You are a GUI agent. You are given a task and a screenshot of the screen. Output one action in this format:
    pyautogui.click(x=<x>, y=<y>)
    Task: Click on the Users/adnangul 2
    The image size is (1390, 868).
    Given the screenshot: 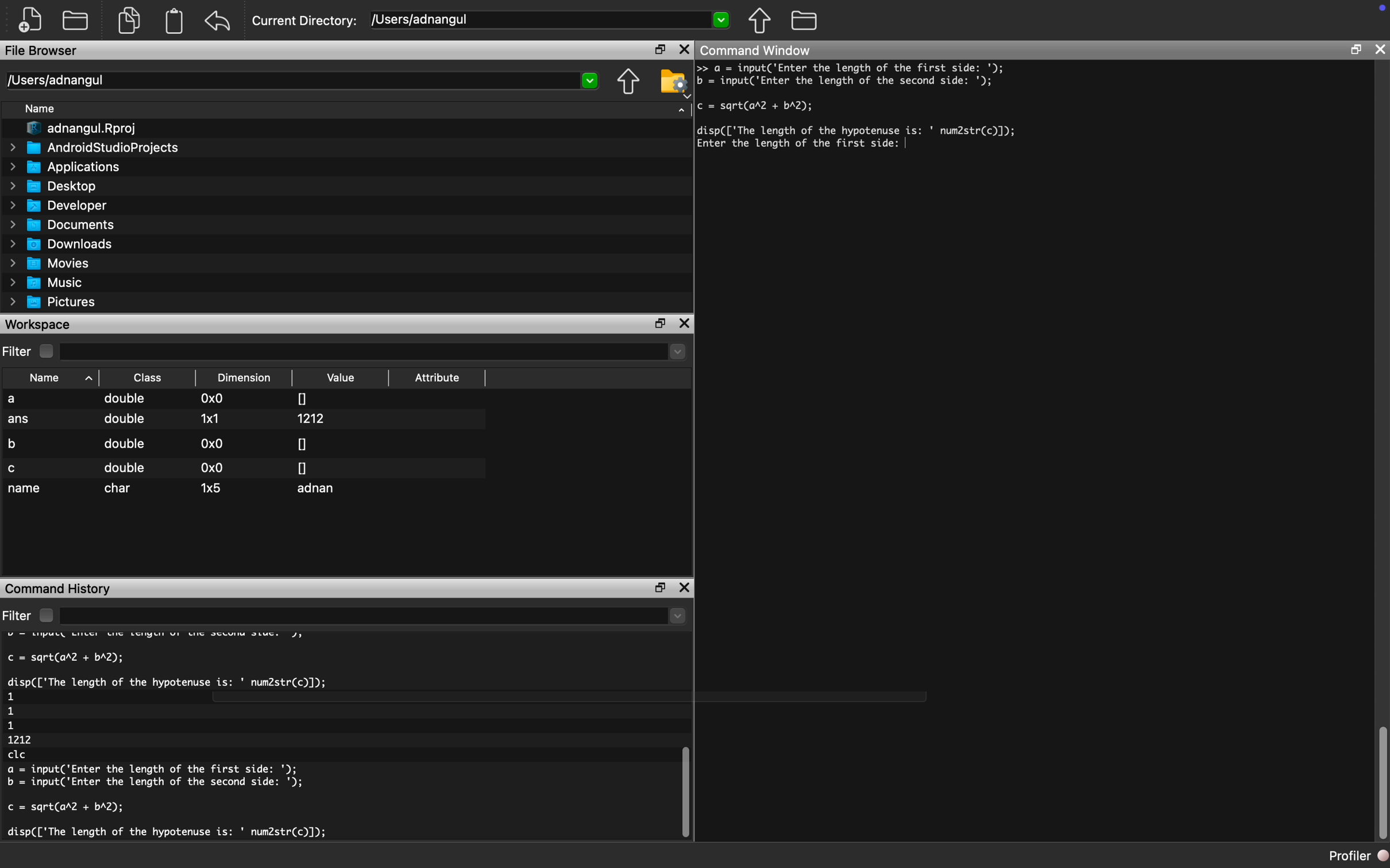 What is the action you would take?
    pyautogui.click(x=301, y=81)
    